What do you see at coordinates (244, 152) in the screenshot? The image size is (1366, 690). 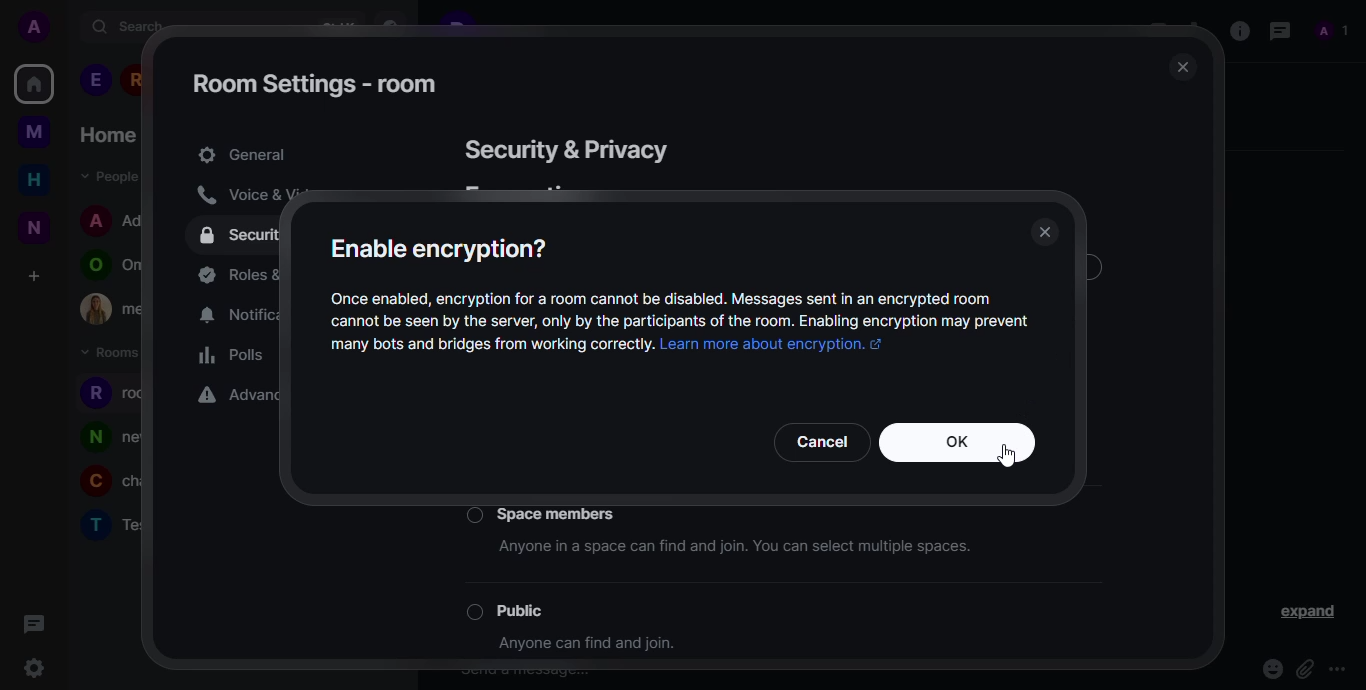 I see `general` at bounding box center [244, 152].